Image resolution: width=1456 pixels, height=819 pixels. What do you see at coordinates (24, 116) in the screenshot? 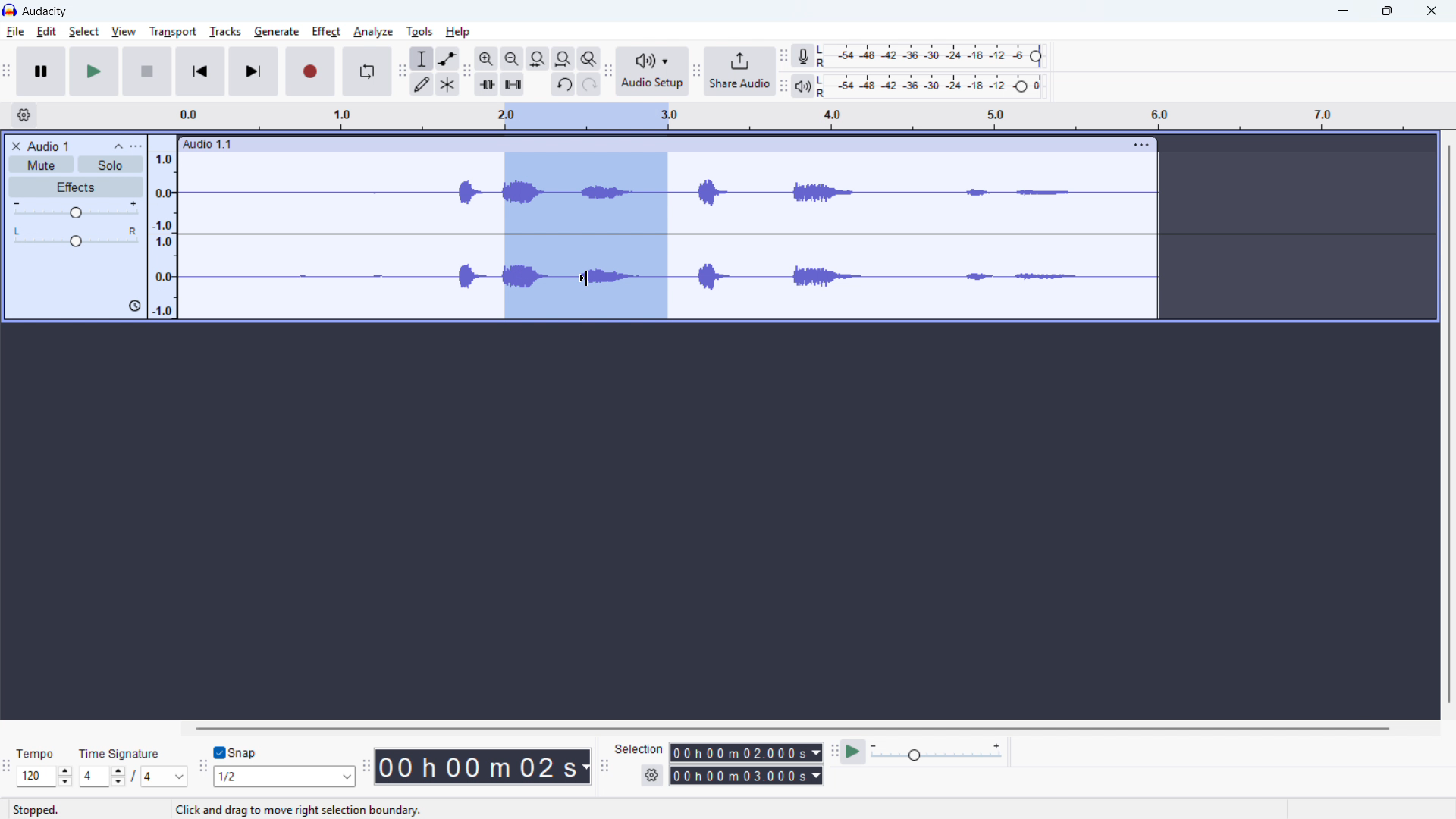
I see `Timeline settings` at bounding box center [24, 116].